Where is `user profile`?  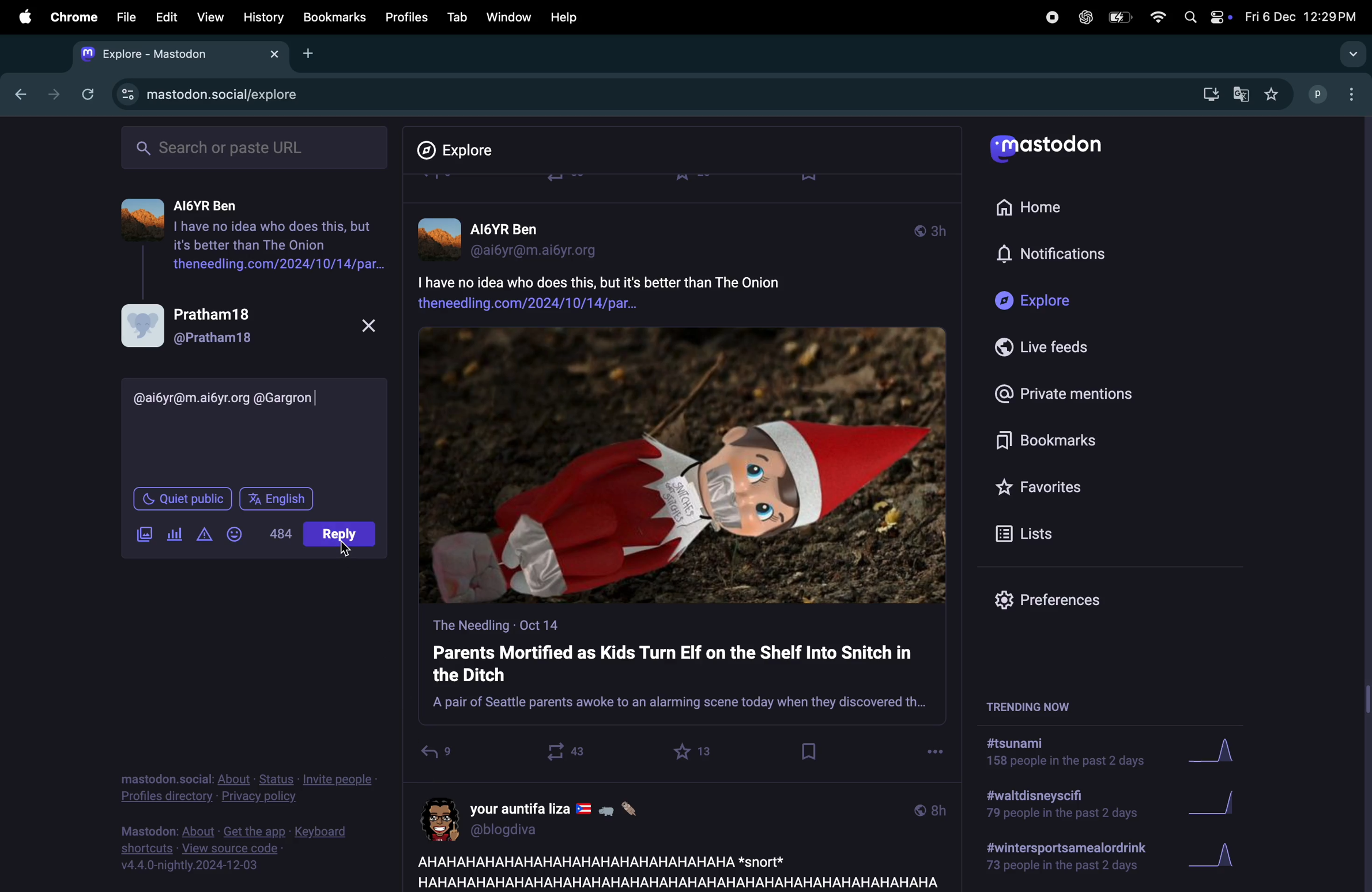
user profile is located at coordinates (518, 237).